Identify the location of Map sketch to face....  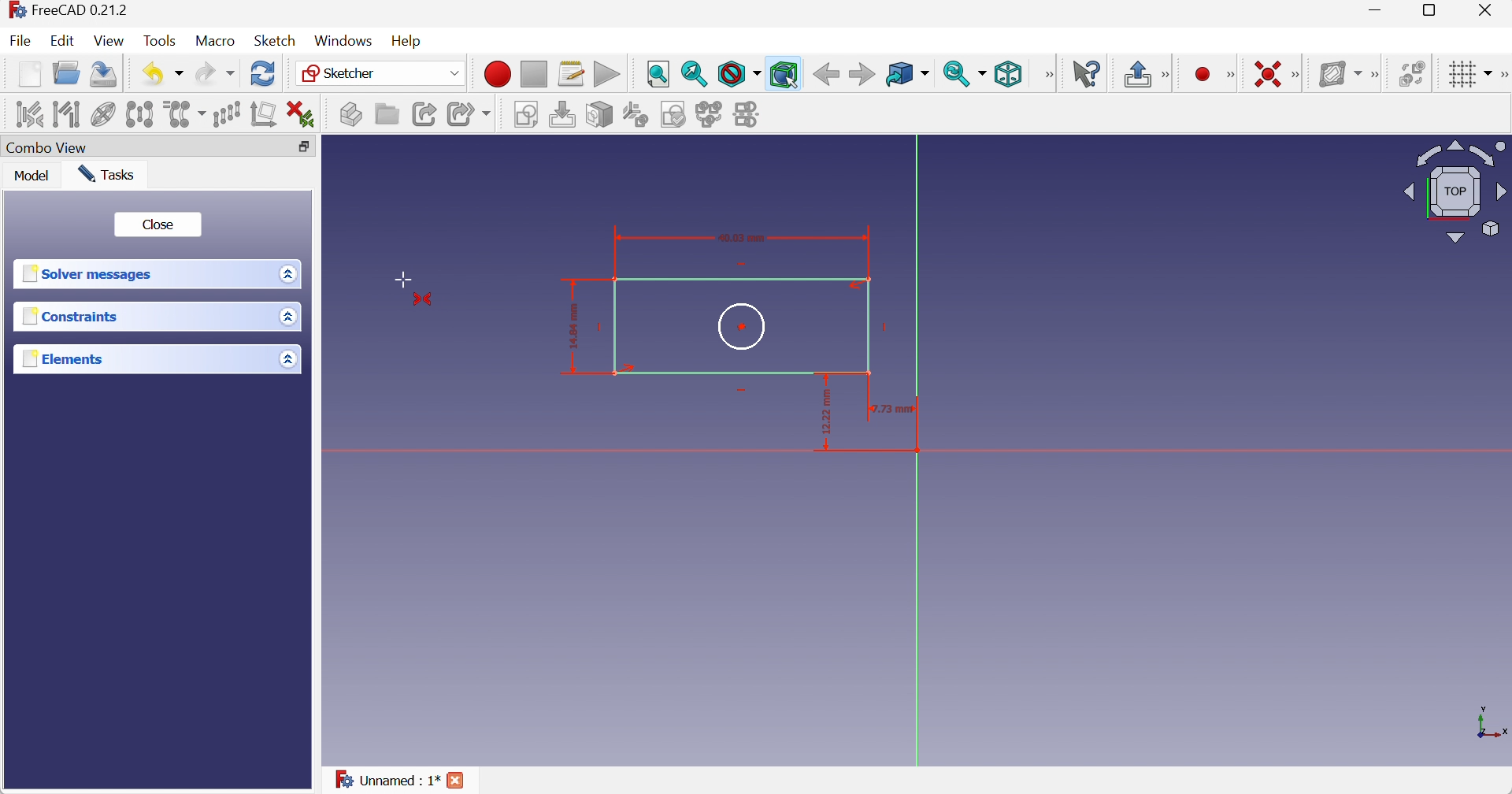
(599, 116).